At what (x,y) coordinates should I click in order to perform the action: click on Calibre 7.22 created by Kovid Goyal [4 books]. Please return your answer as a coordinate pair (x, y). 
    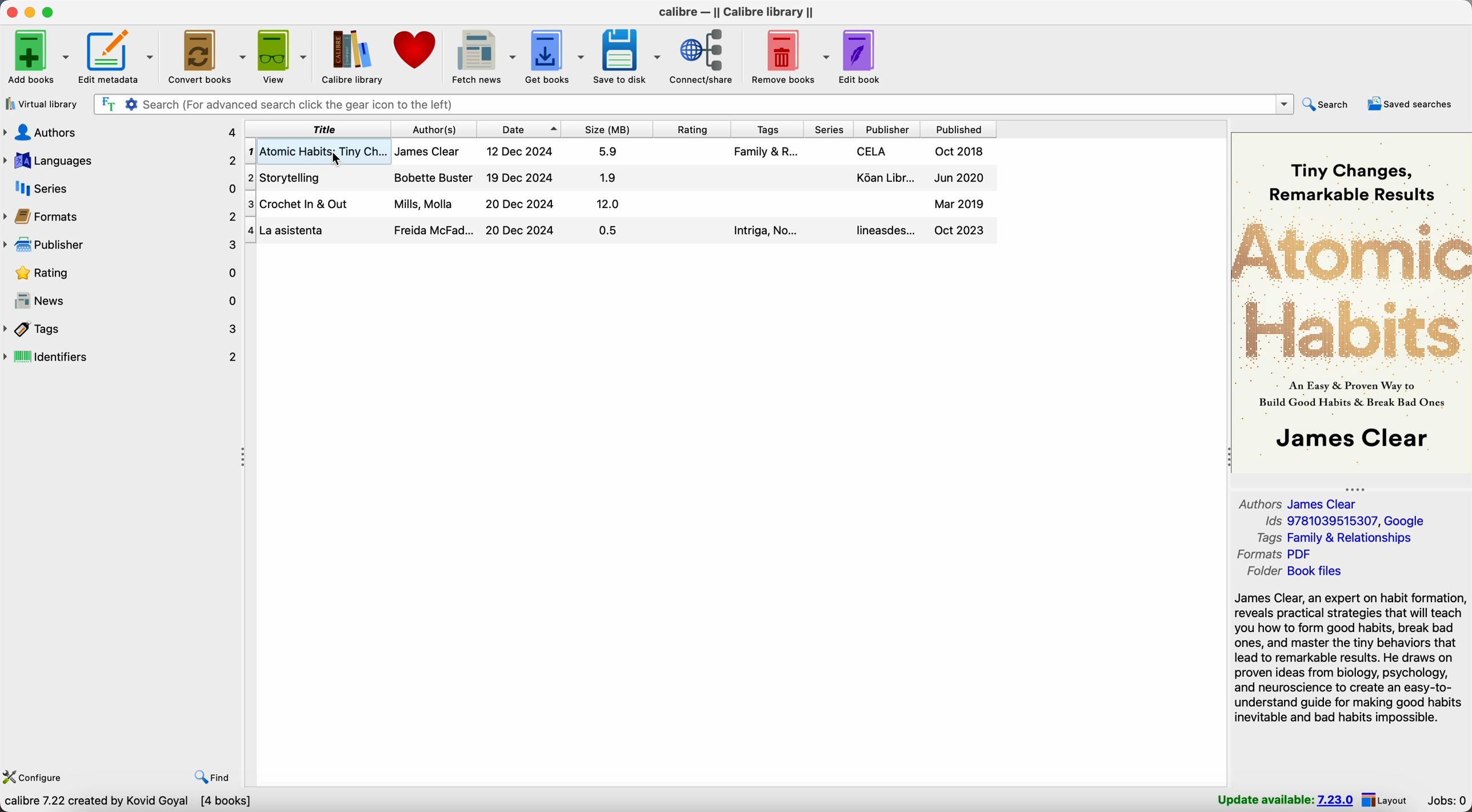
    Looking at the image, I should click on (130, 802).